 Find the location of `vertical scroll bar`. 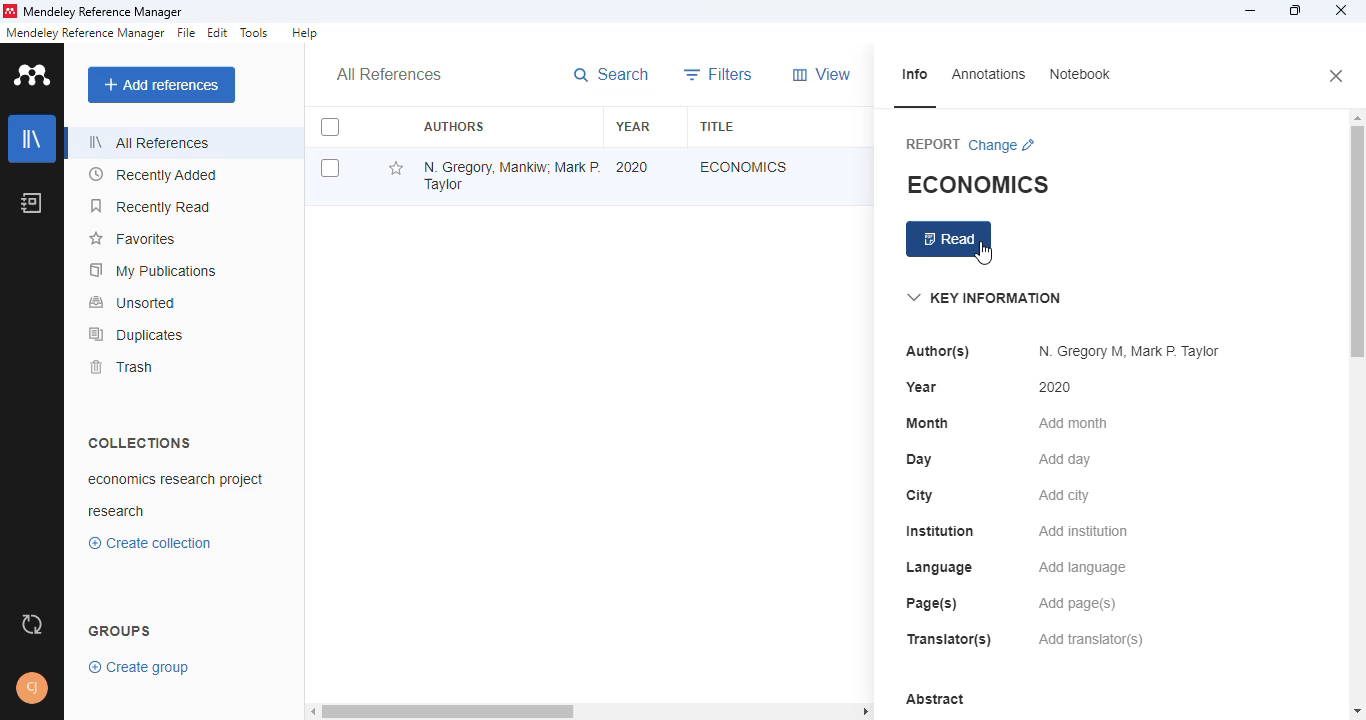

vertical scroll bar is located at coordinates (1355, 246).